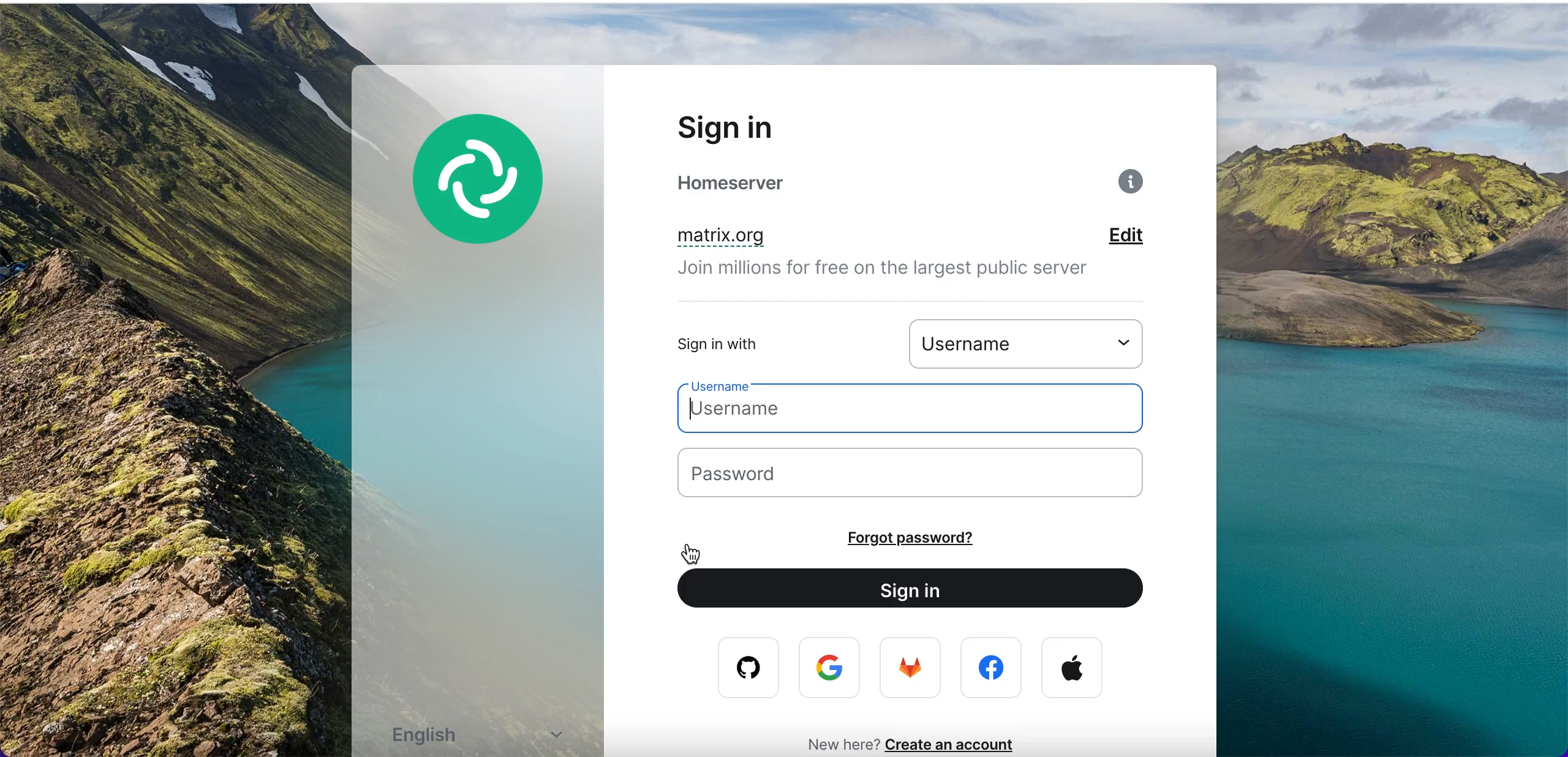 The image size is (1568, 757). Describe the element at coordinates (1144, 237) in the screenshot. I see `edit` at that location.